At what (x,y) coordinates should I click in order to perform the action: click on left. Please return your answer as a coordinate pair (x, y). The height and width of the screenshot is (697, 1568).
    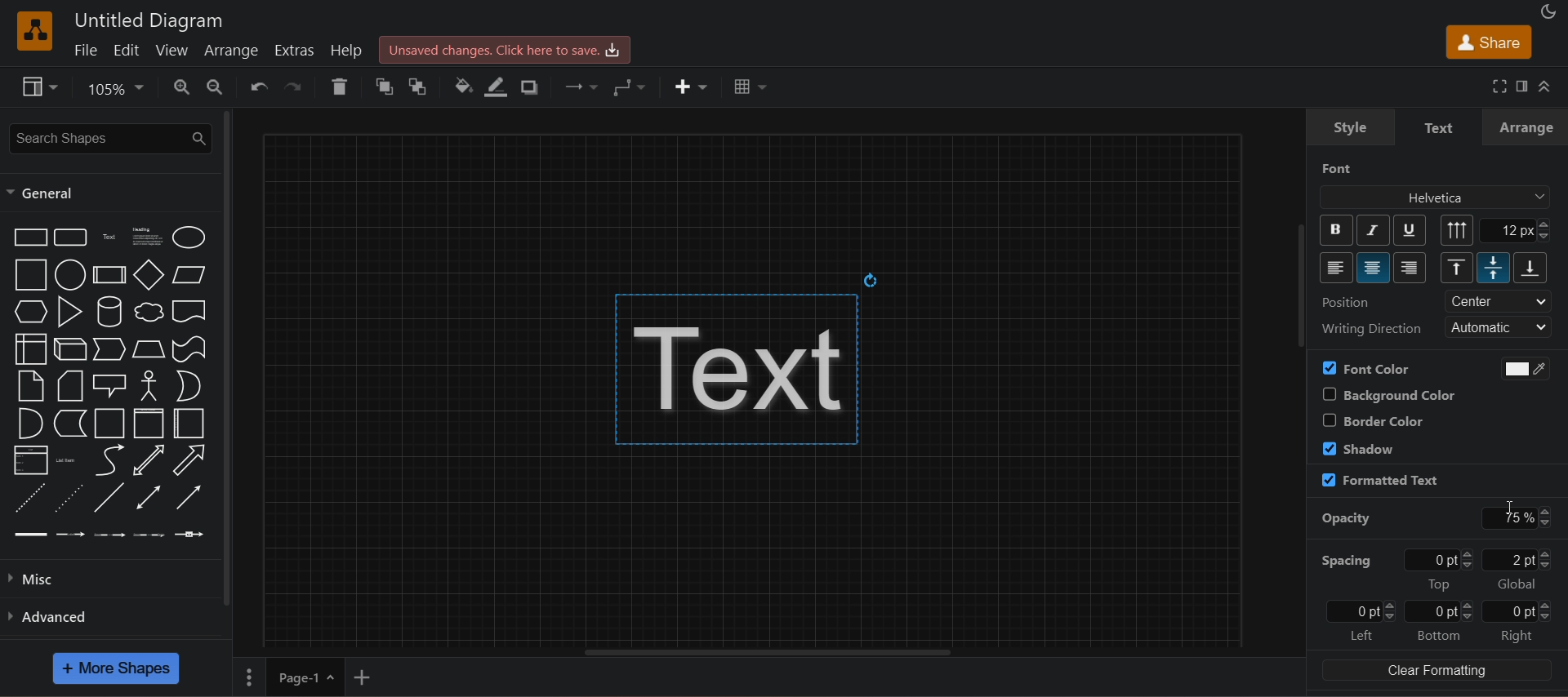
    Looking at the image, I should click on (1361, 636).